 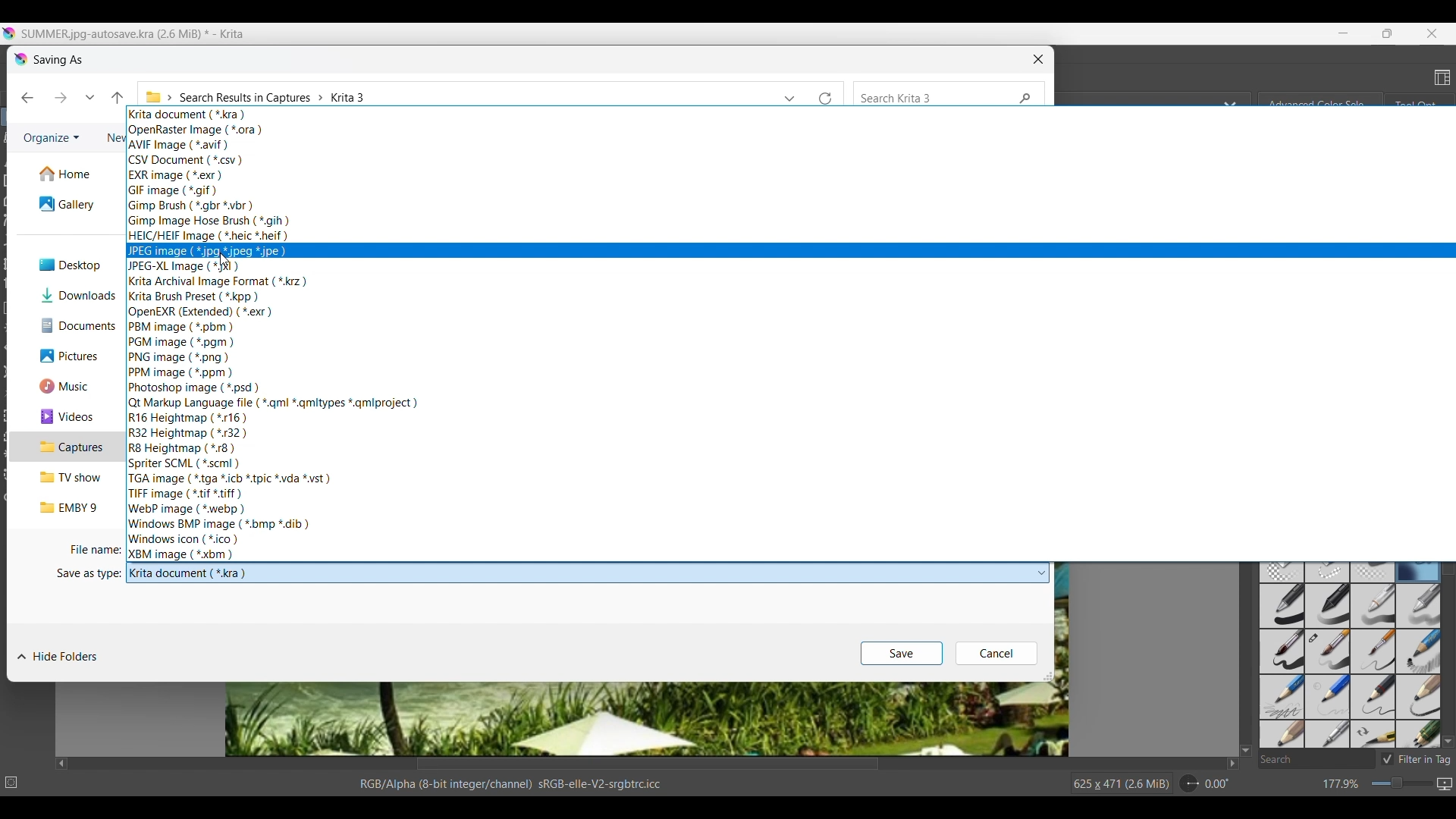 I want to click on Go forward, so click(x=61, y=97).